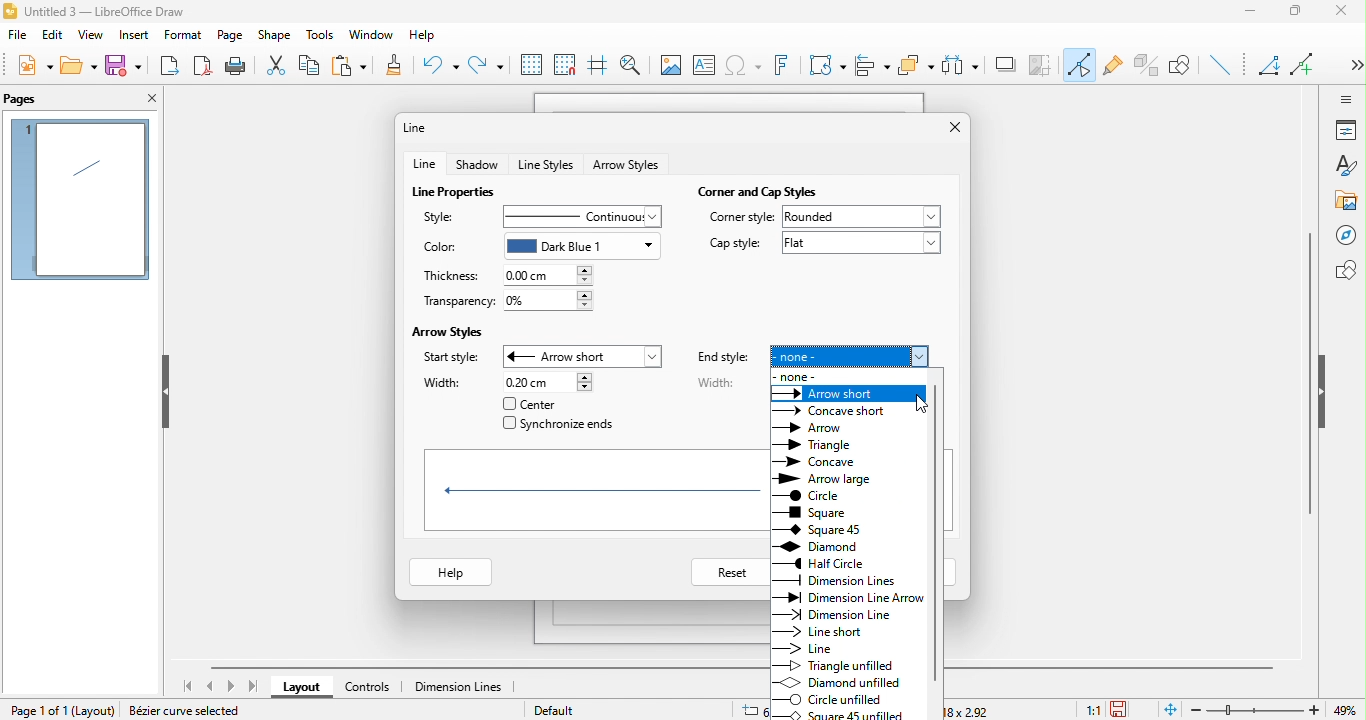 This screenshot has width=1366, height=720. I want to click on redo, so click(486, 61).